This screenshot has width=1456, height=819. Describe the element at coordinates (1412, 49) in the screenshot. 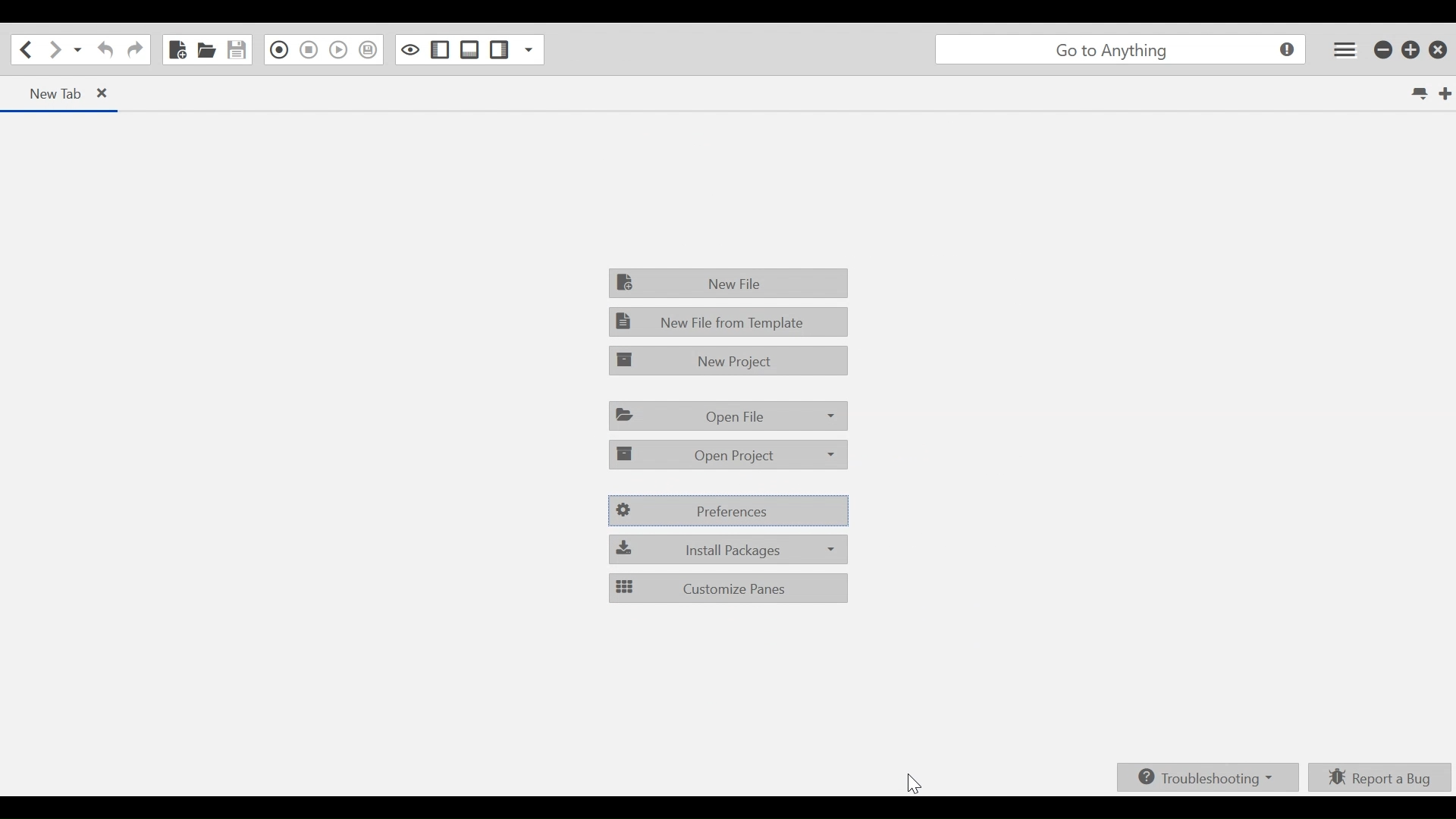

I see `Restore` at that location.